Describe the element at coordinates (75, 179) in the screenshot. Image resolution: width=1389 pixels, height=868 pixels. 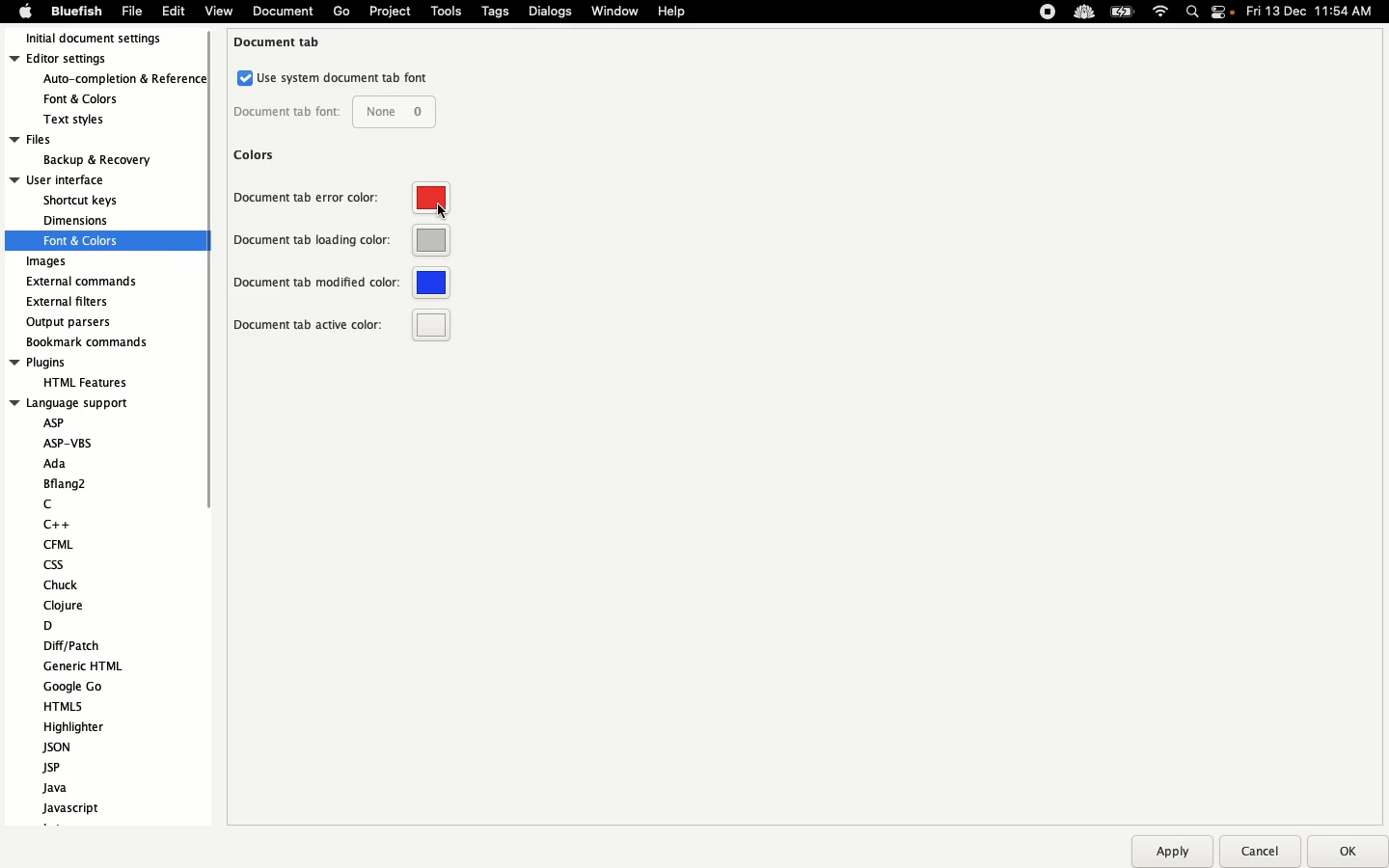
I see `User interface ` at that location.